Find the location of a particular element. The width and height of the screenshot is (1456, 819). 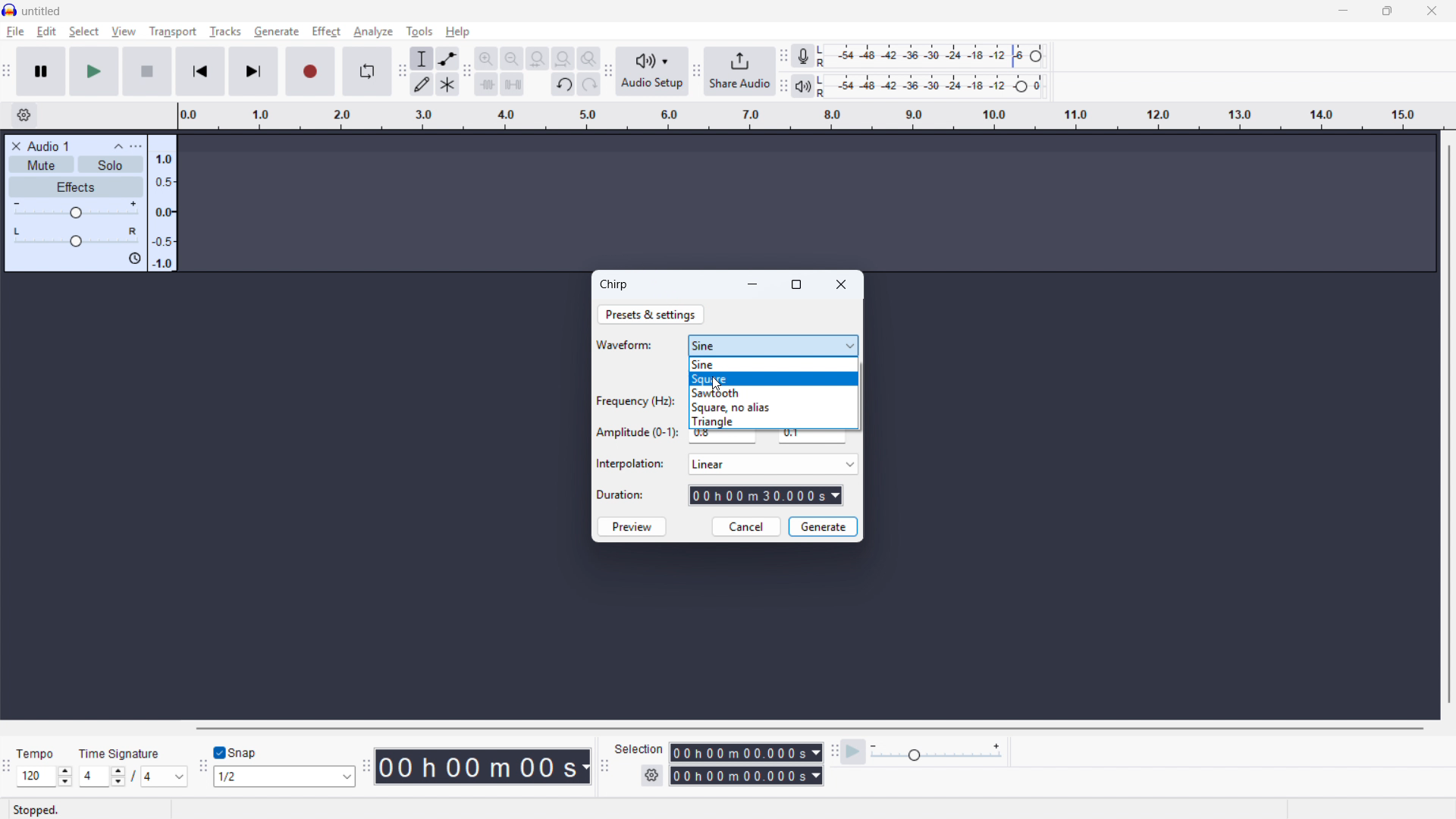

Set snapping  is located at coordinates (284, 777).